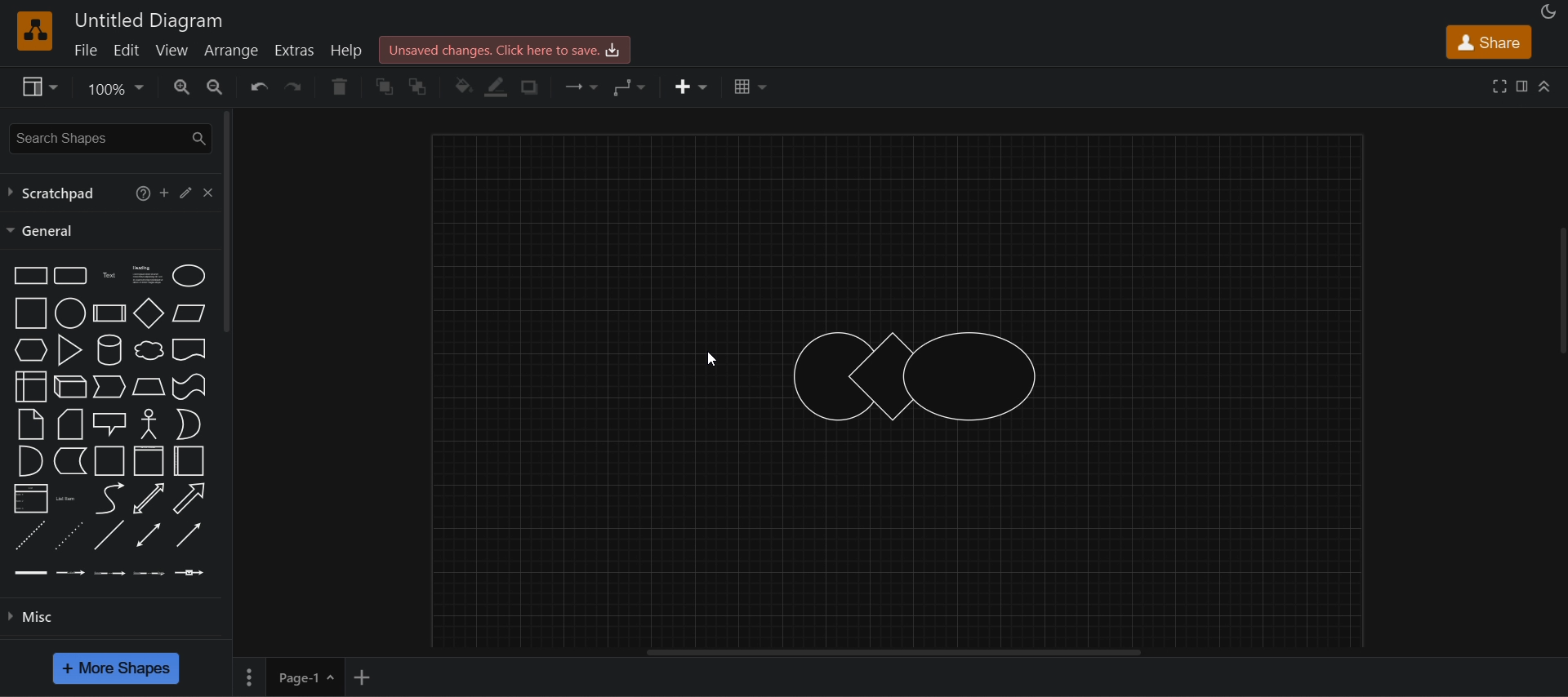 The image size is (1568, 697). I want to click on trapezoid, so click(149, 386).